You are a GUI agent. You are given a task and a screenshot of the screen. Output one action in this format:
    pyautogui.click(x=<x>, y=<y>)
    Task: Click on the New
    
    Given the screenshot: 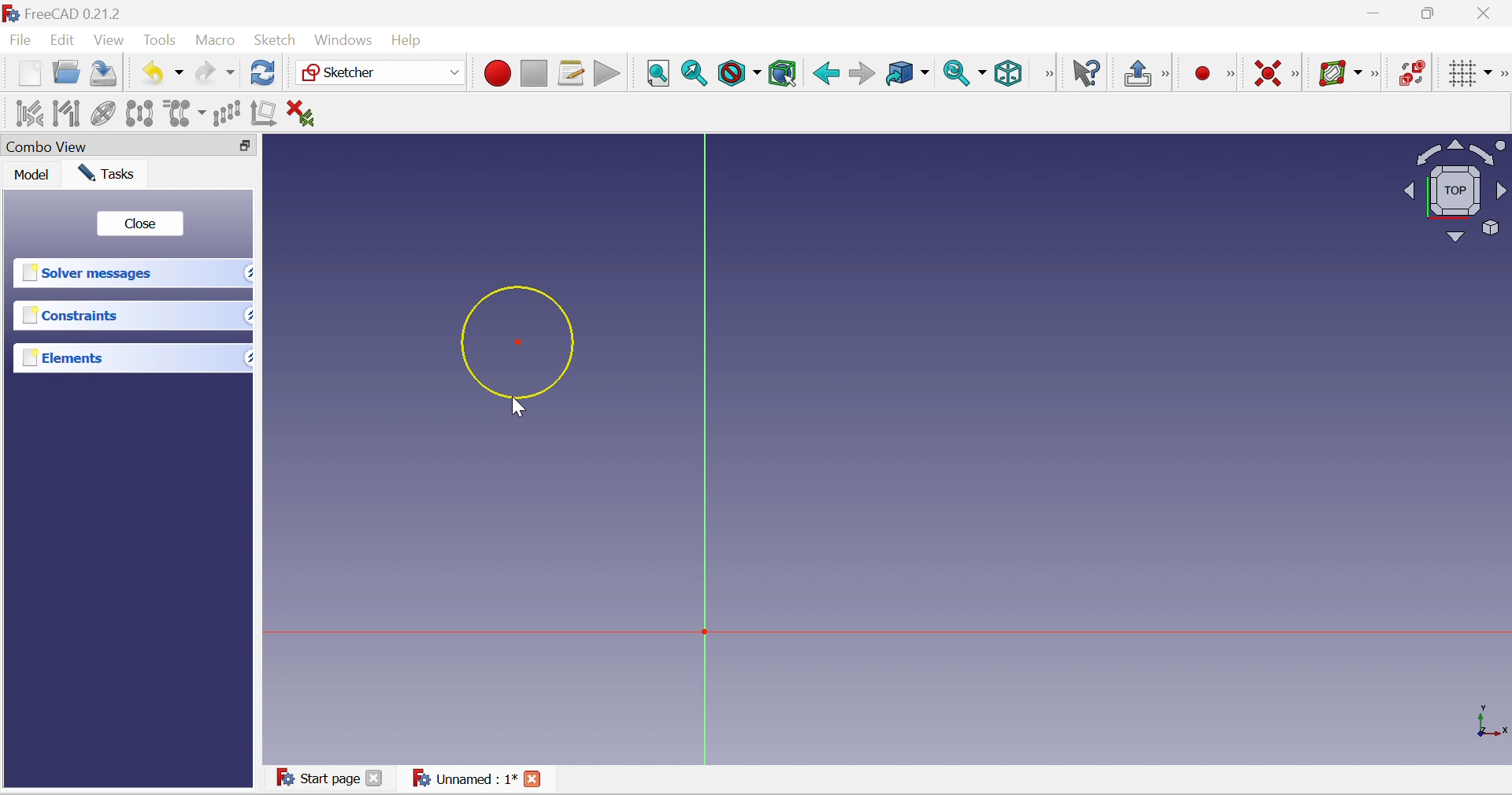 What is the action you would take?
    pyautogui.click(x=28, y=72)
    